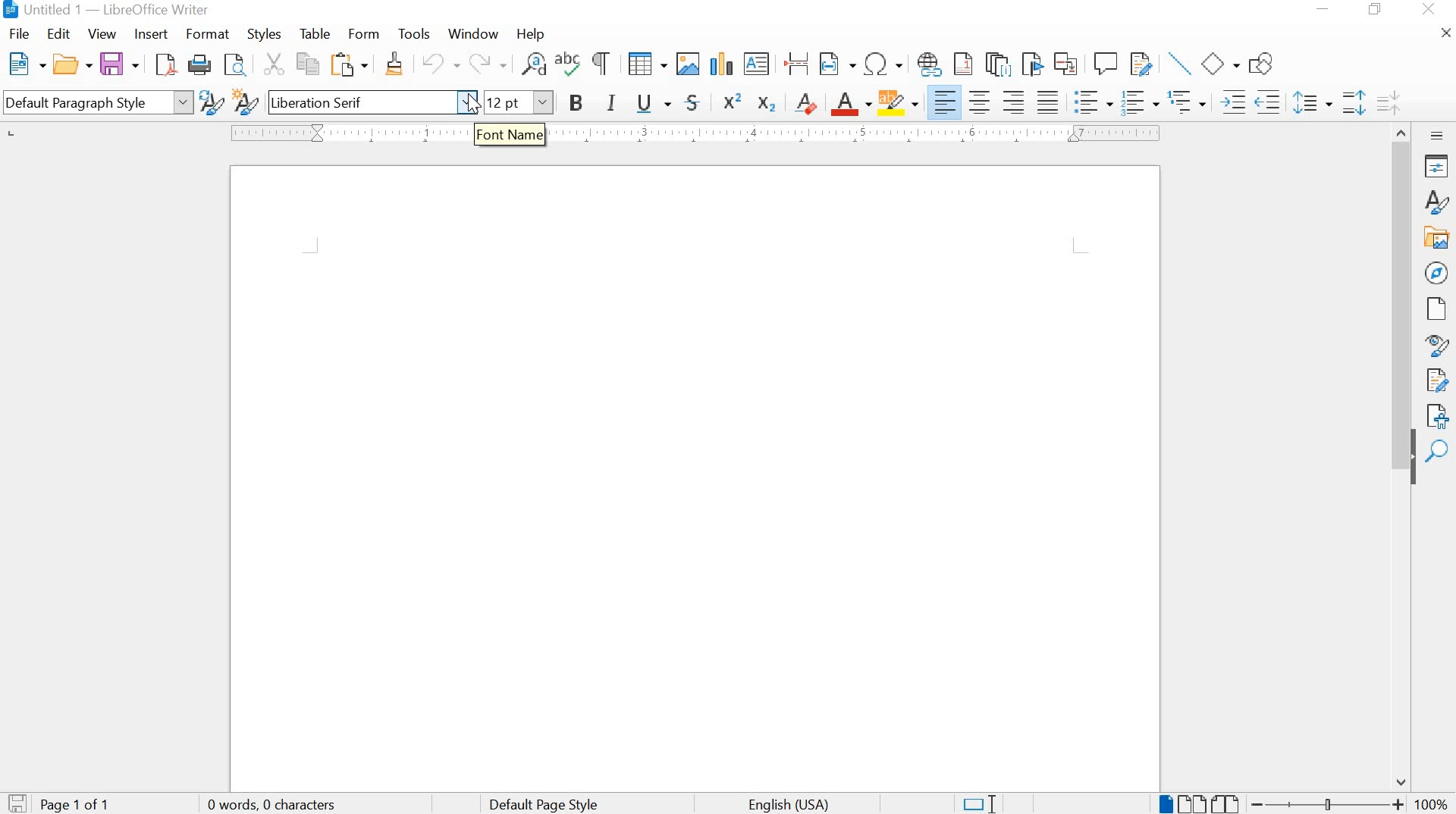 The width and height of the screenshot is (1456, 814). What do you see at coordinates (435, 66) in the screenshot?
I see `UNDO` at bounding box center [435, 66].